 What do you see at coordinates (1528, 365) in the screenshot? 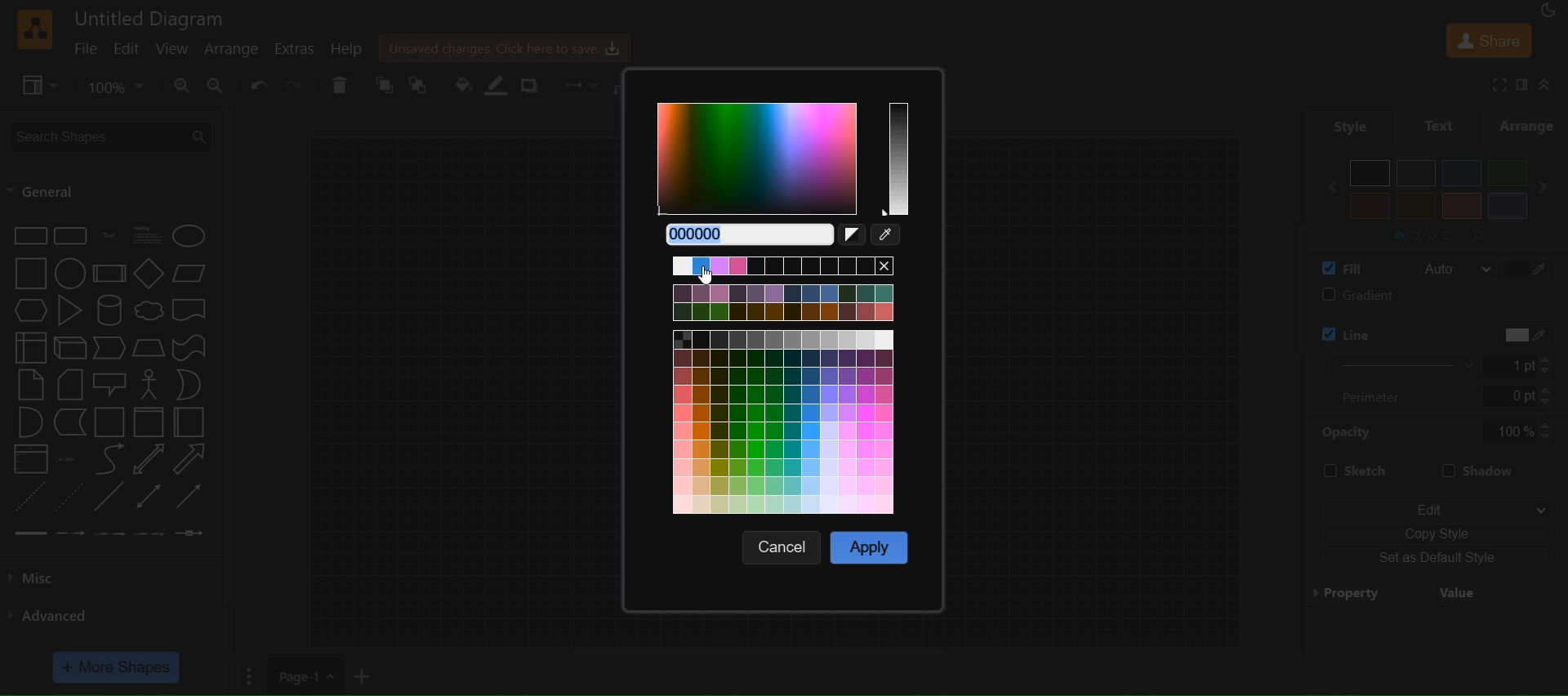
I see `1 pt` at bounding box center [1528, 365].